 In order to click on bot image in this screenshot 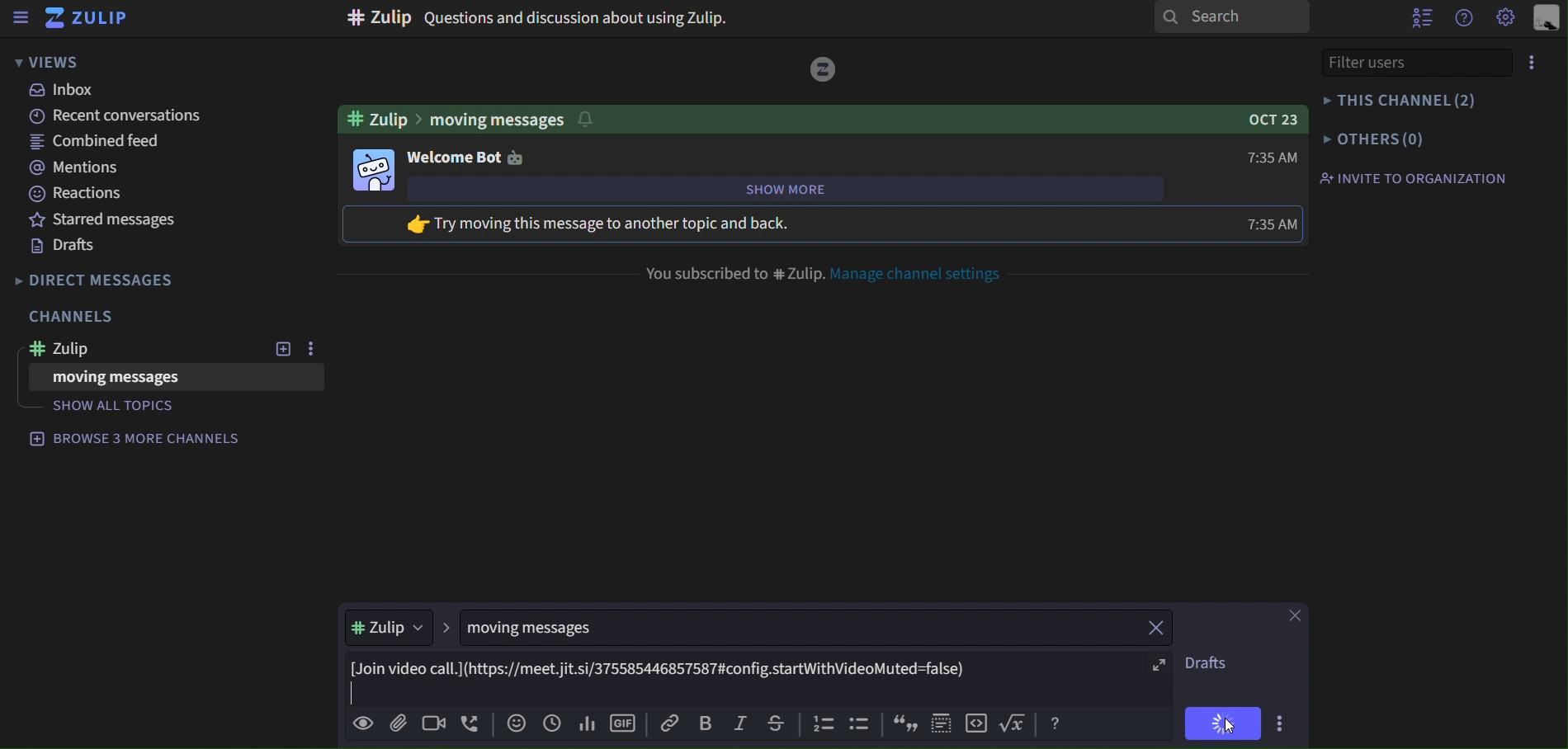, I will do `click(373, 168)`.